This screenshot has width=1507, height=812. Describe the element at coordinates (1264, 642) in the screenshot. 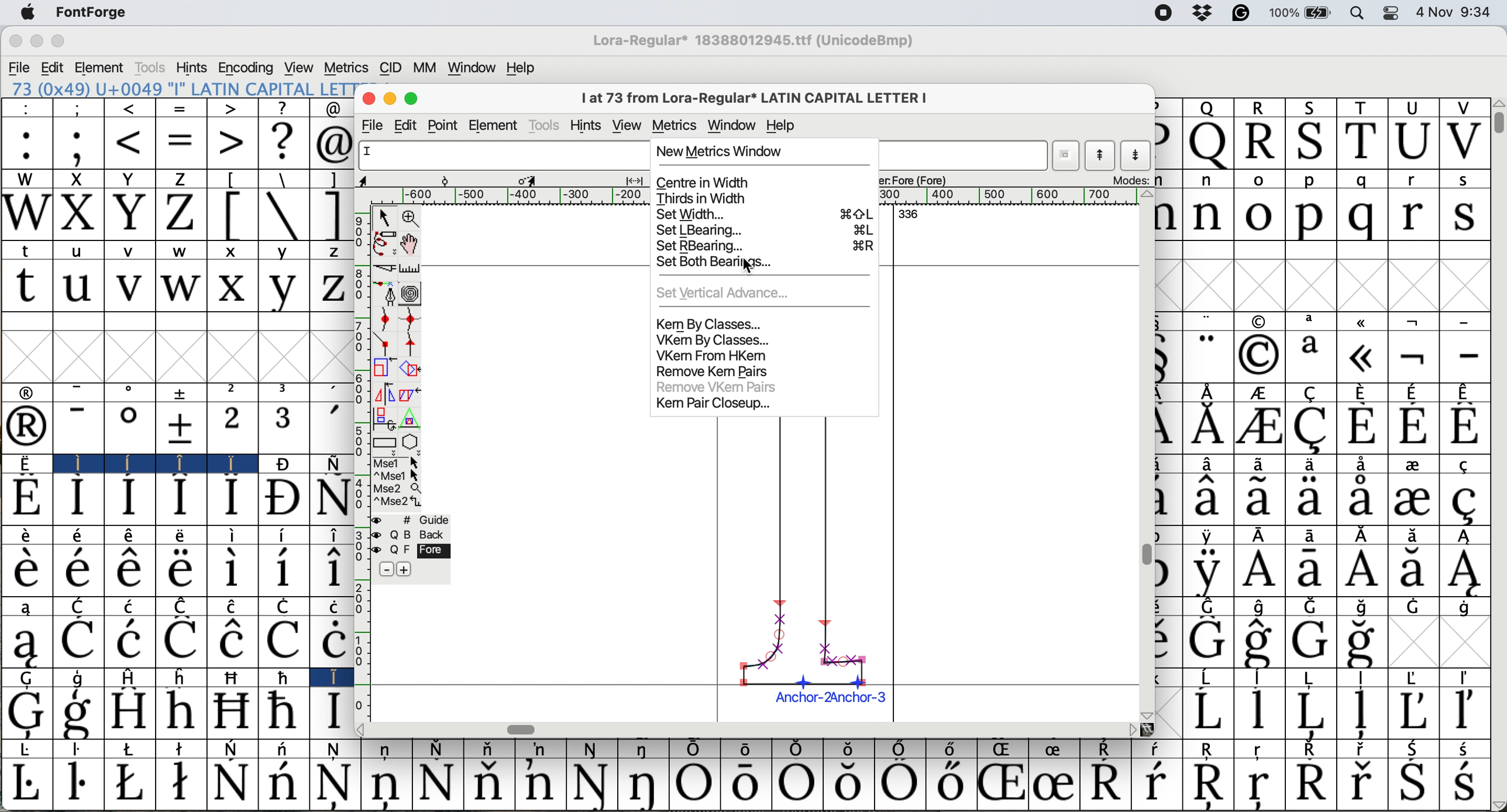

I see `Symbol` at that location.